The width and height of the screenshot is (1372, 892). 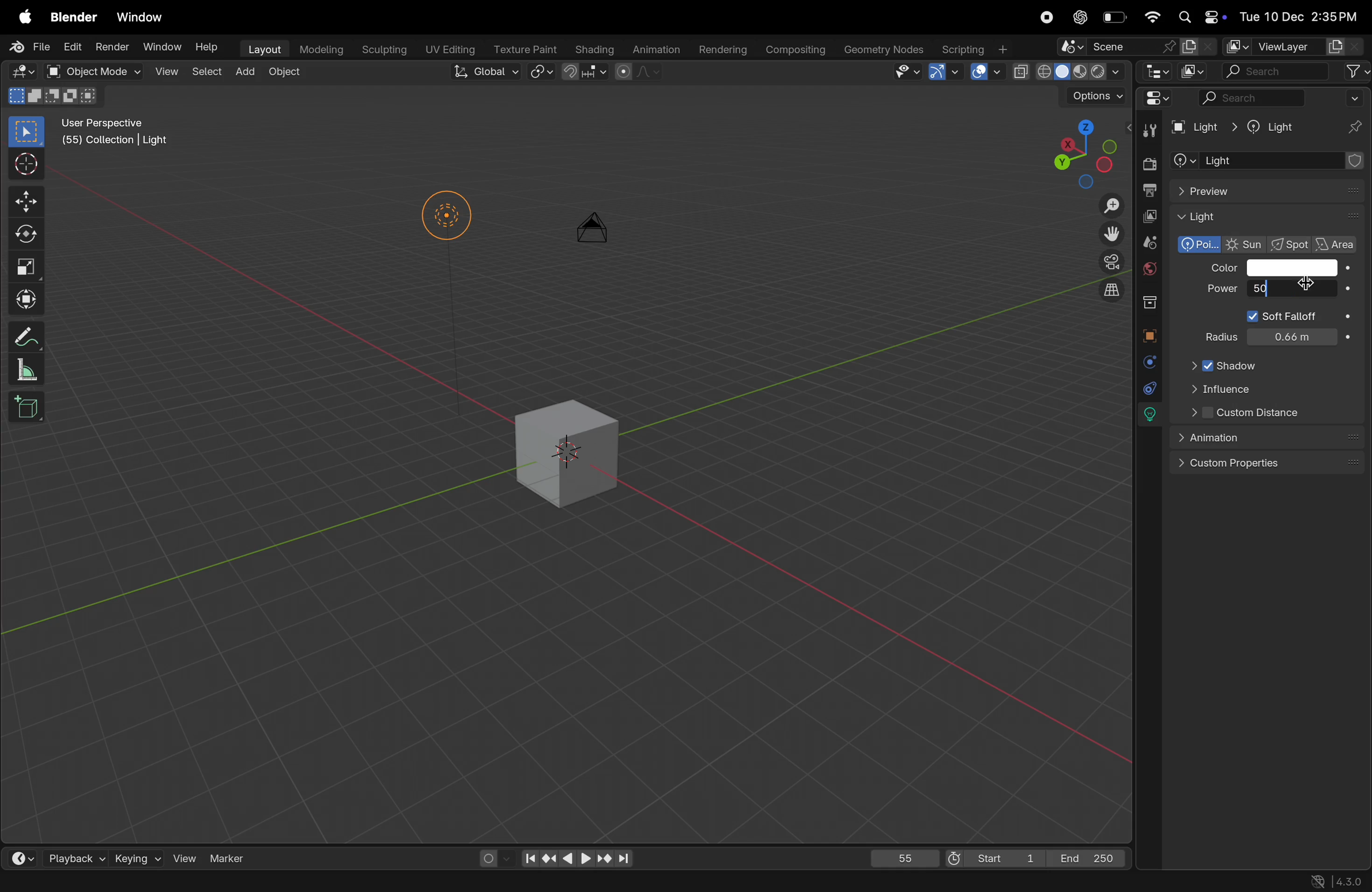 What do you see at coordinates (1149, 129) in the screenshot?
I see `tools` at bounding box center [1149, 129].